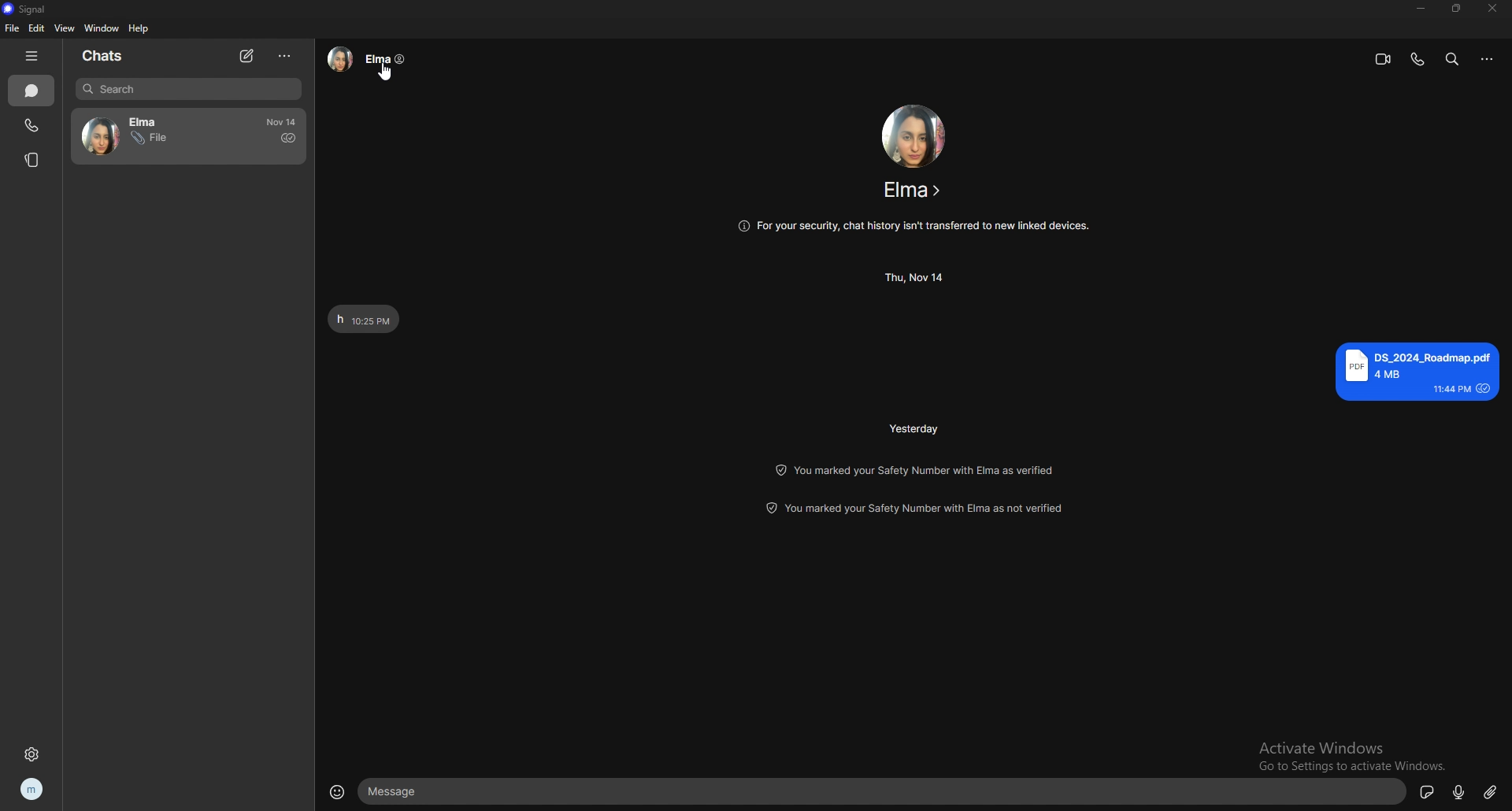 This screenshot has height=811, width=1512. Describe the element at coordinates (1414, 369) in the screenshot. I see `text` at that location.